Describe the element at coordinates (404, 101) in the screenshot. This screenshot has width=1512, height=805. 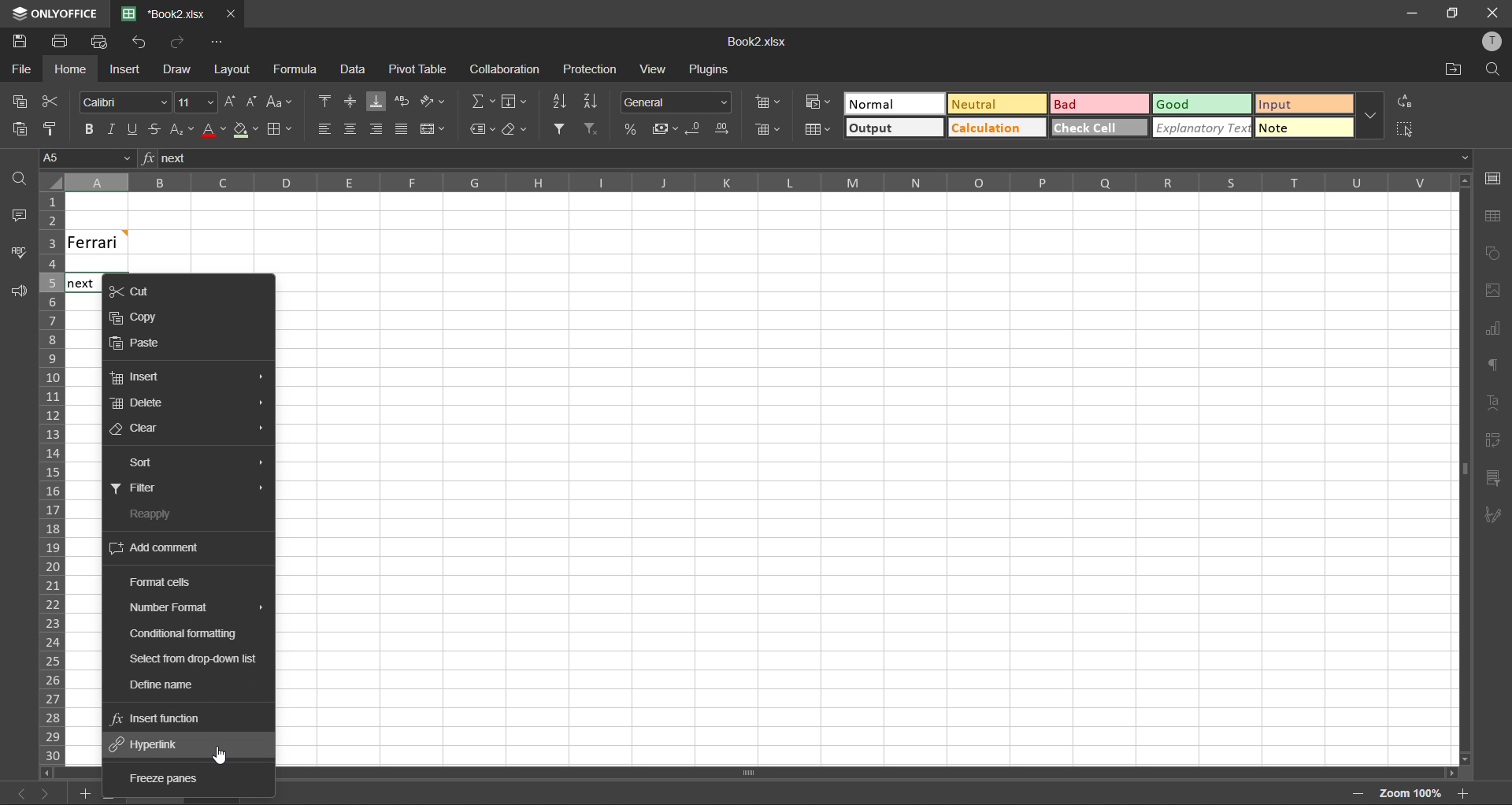
I see `wrap text` at that location.